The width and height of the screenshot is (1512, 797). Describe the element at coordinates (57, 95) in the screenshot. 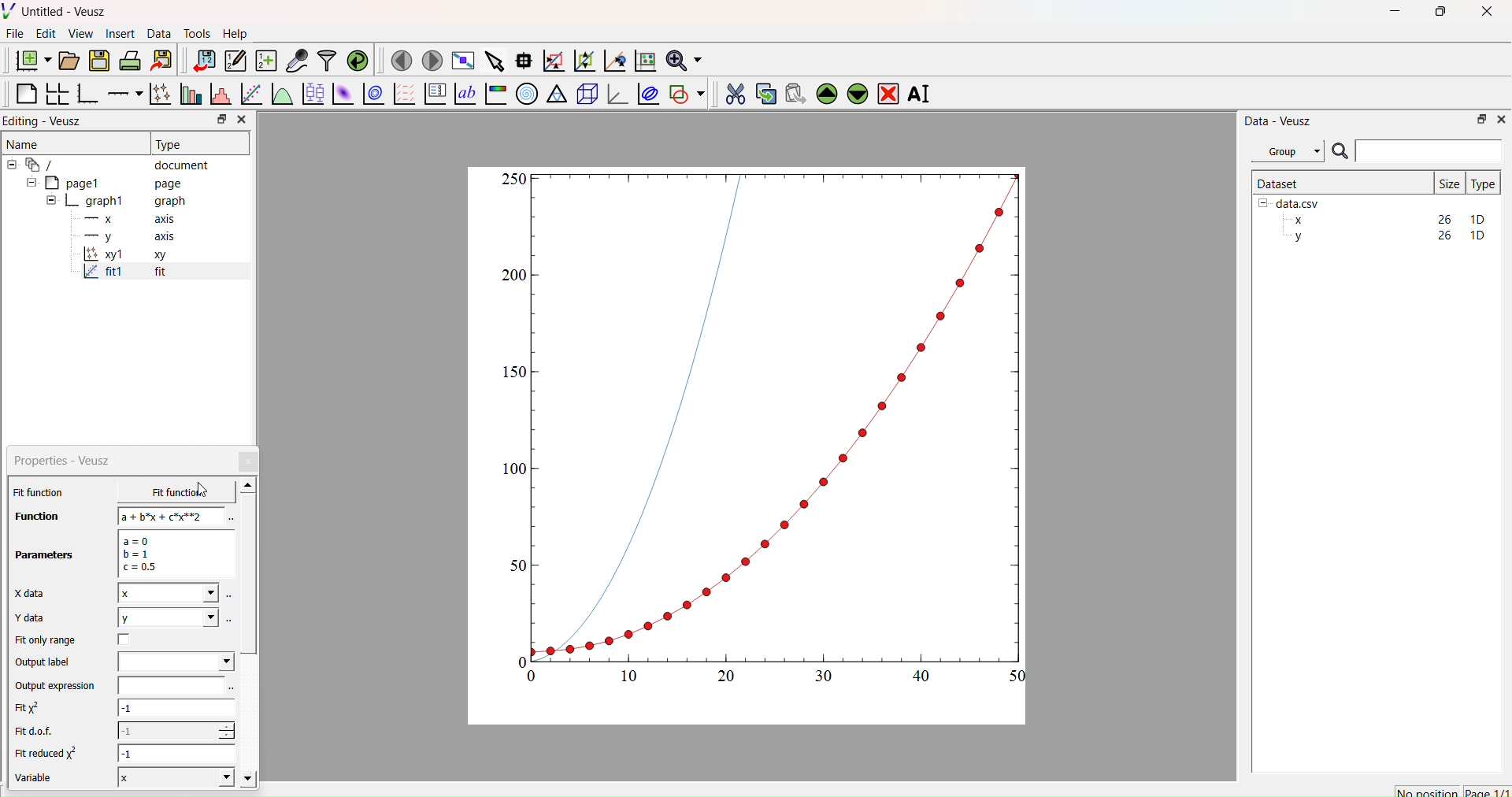

I see `Arrange graphs in grid` at that location.